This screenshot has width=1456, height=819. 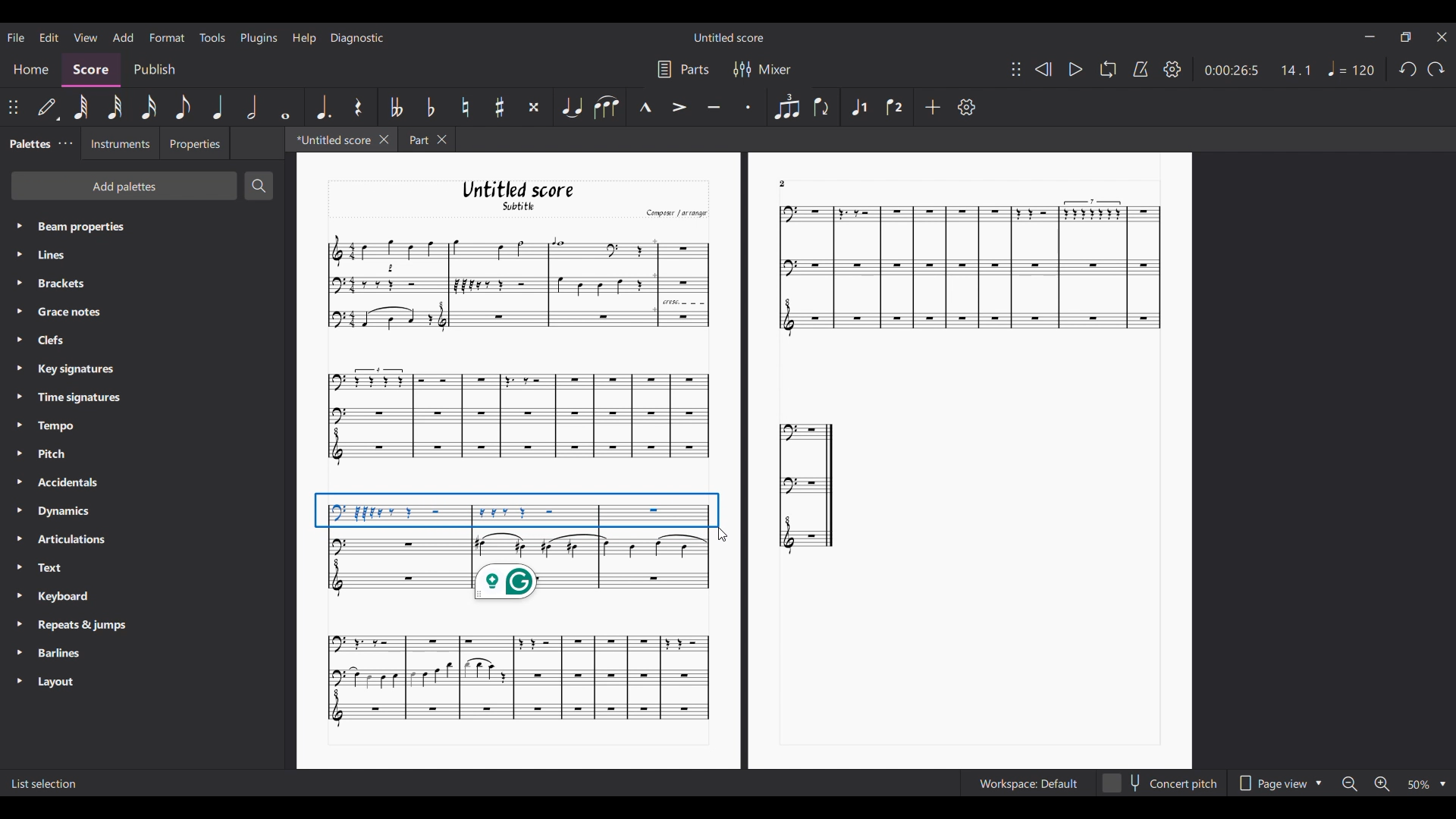 What do you see at coordinates (1108, 68) in the screenshot?
I see `Loop playback` at bounding box center [1108, 68].